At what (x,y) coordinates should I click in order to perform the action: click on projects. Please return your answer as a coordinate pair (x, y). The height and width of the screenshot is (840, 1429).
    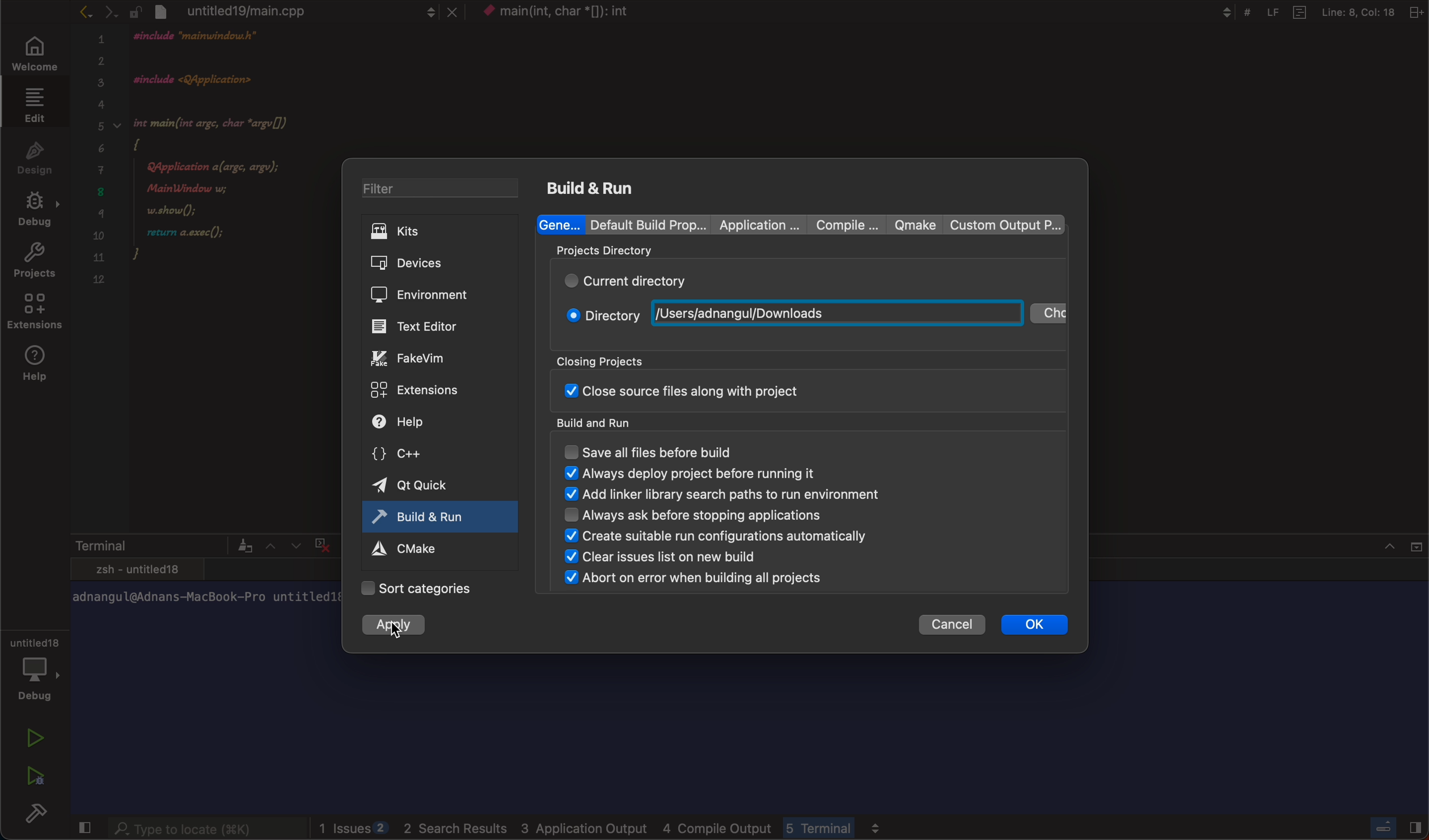
    Looking at the image, I should click on (32, 258).